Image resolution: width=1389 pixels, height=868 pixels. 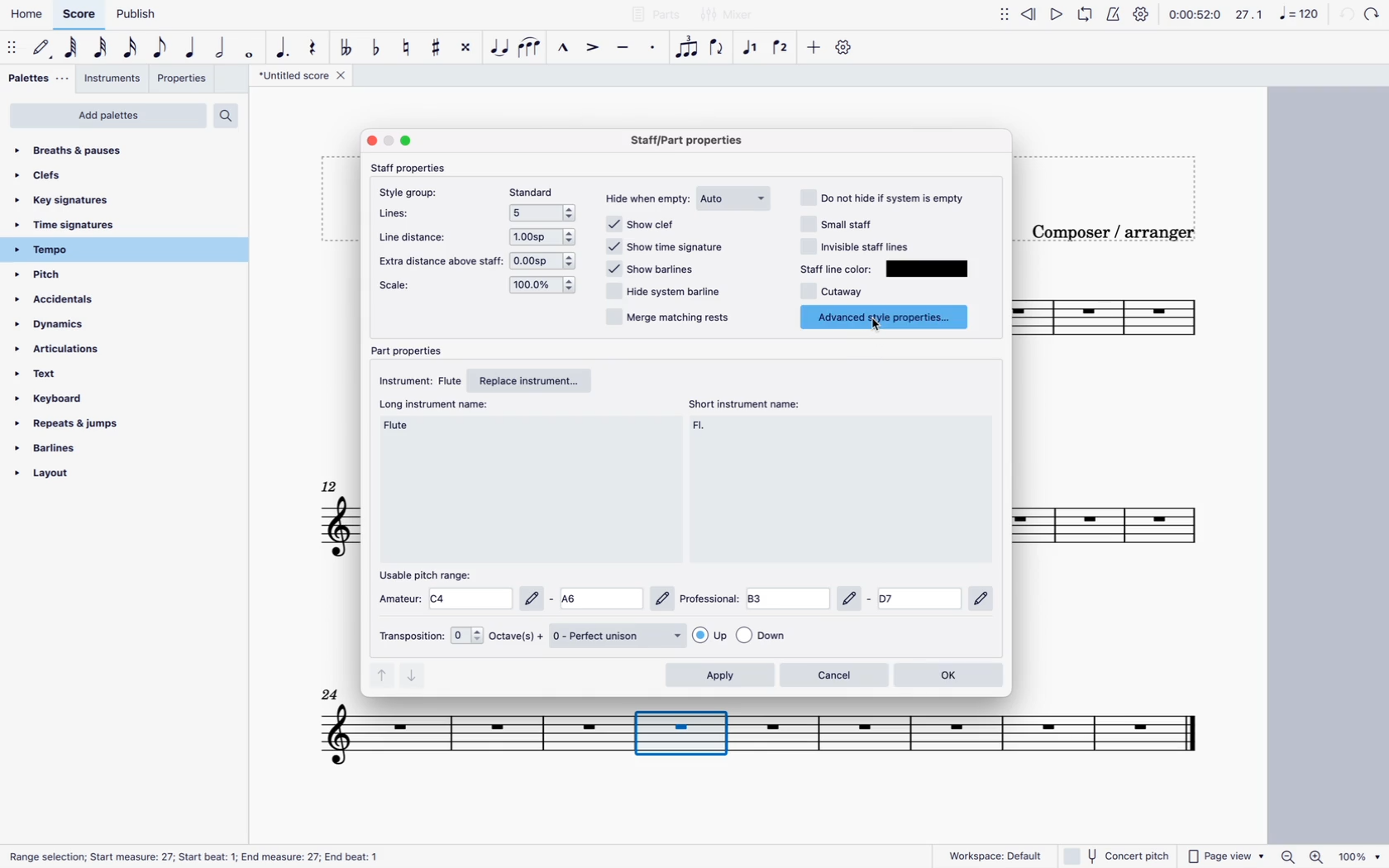 I want to click on color, so click(x=932, y=269).